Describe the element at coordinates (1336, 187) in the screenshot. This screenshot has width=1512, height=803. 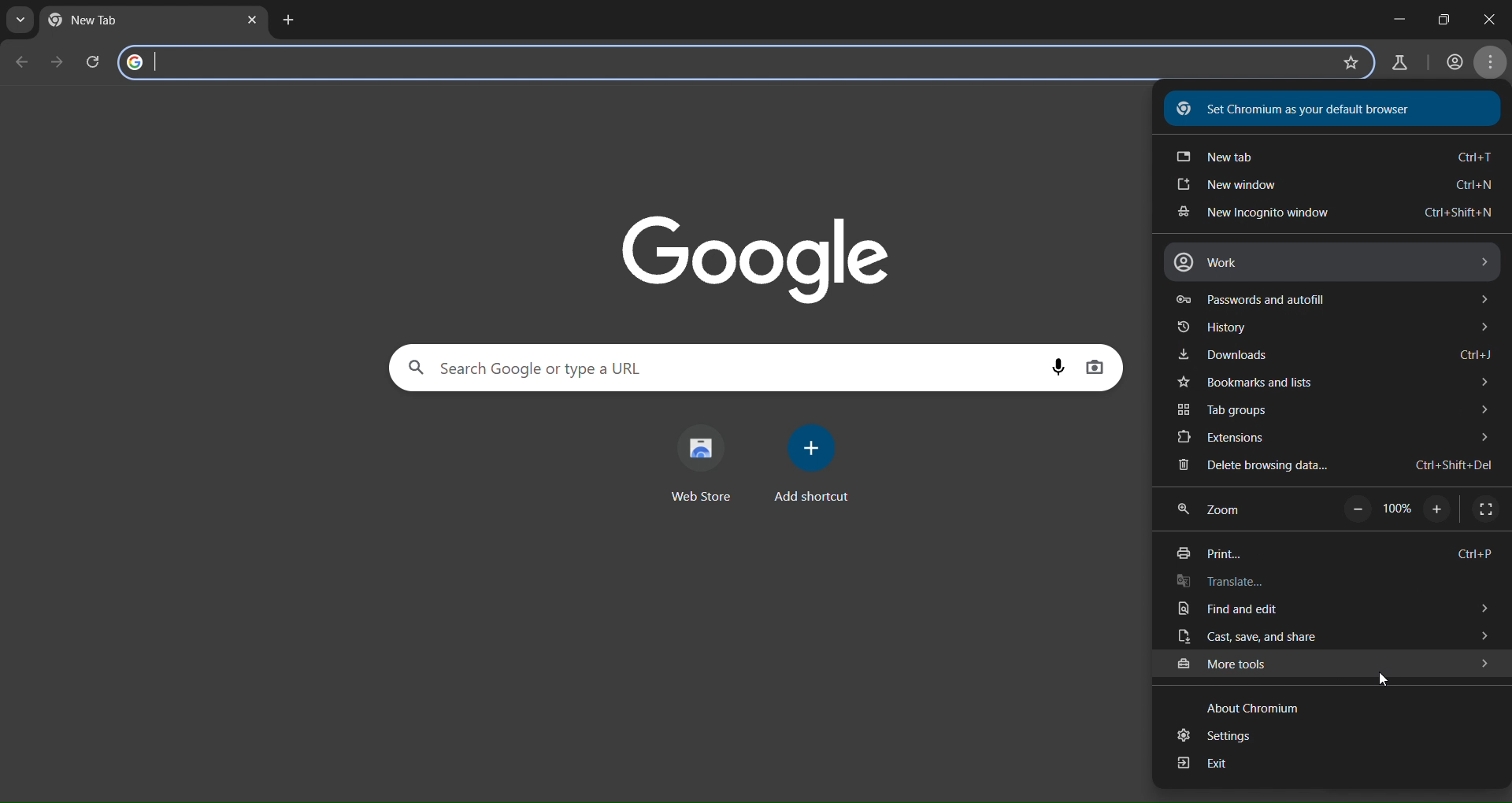
I see `new window` at that location.